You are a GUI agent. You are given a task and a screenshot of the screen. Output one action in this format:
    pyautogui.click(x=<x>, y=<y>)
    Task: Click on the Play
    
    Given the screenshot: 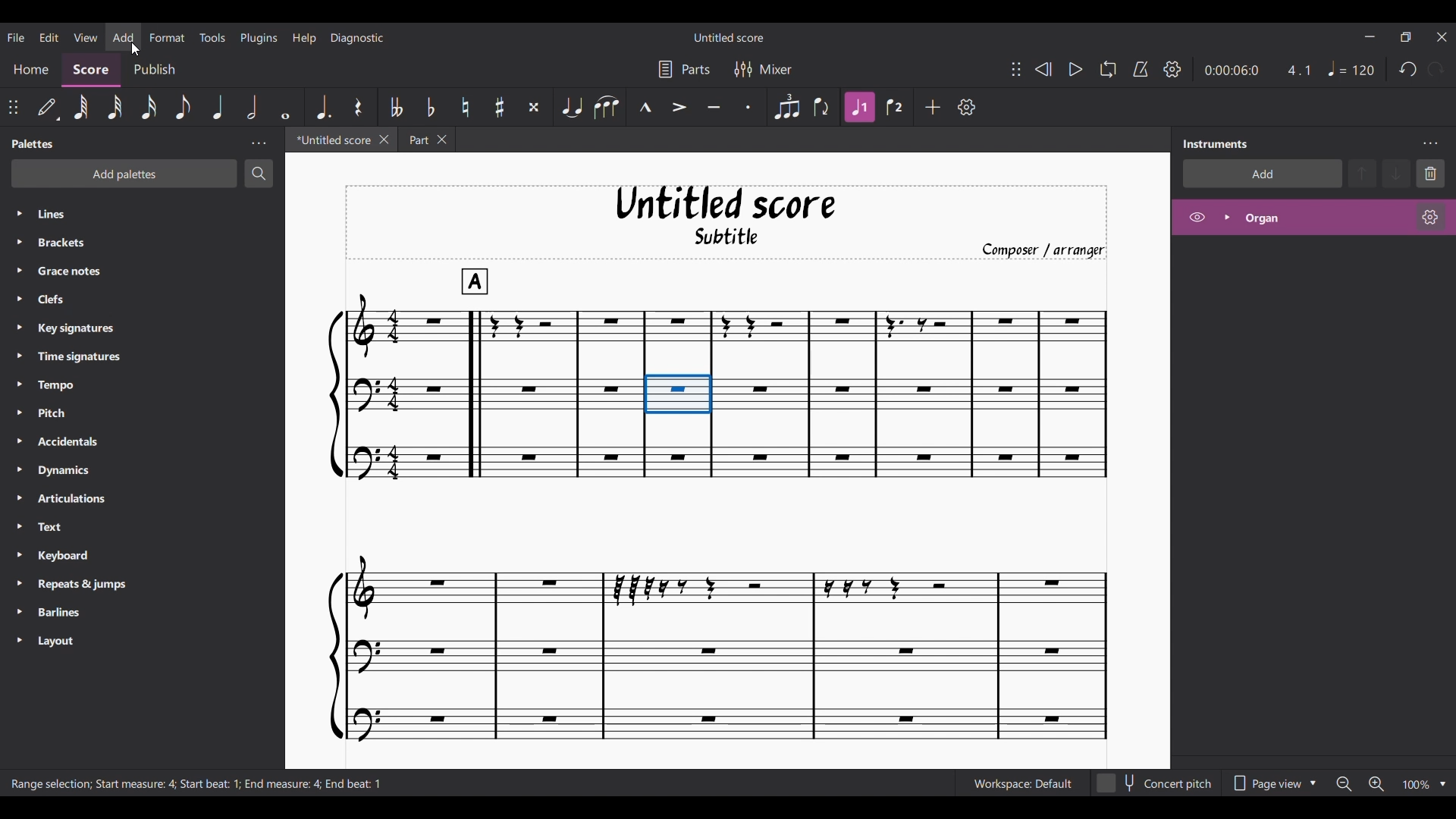 What is the action you would take?
    pyautogui.click(x=1075, y=70)
    